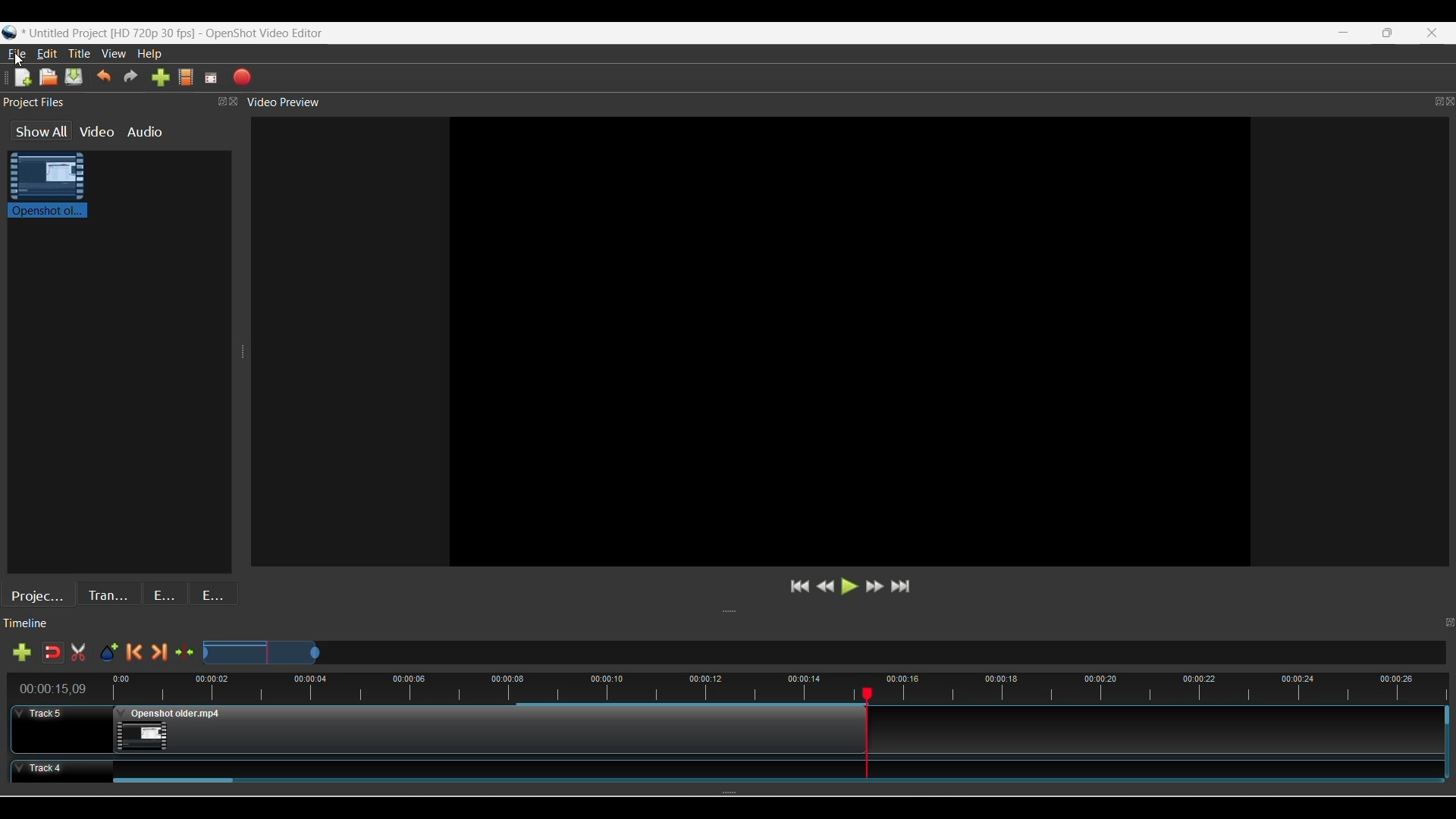 The image size is (1456, 819). Describe the element at coordinates (159, 652) in the screenshot. I see `Next marker` at that location.